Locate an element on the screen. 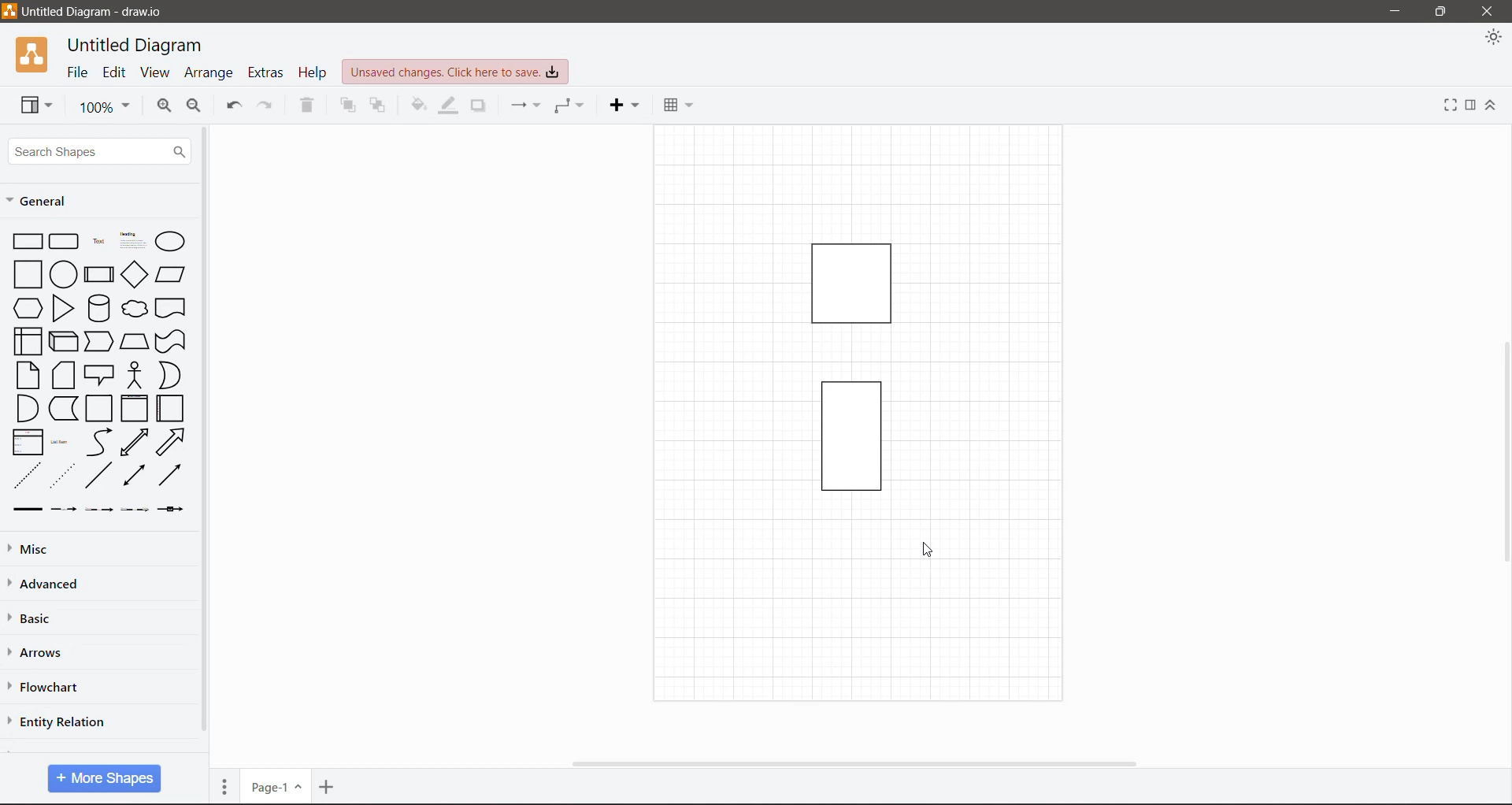 The width and height of the screenshot is (1512, 805). File is located at coordinates (78, 72).